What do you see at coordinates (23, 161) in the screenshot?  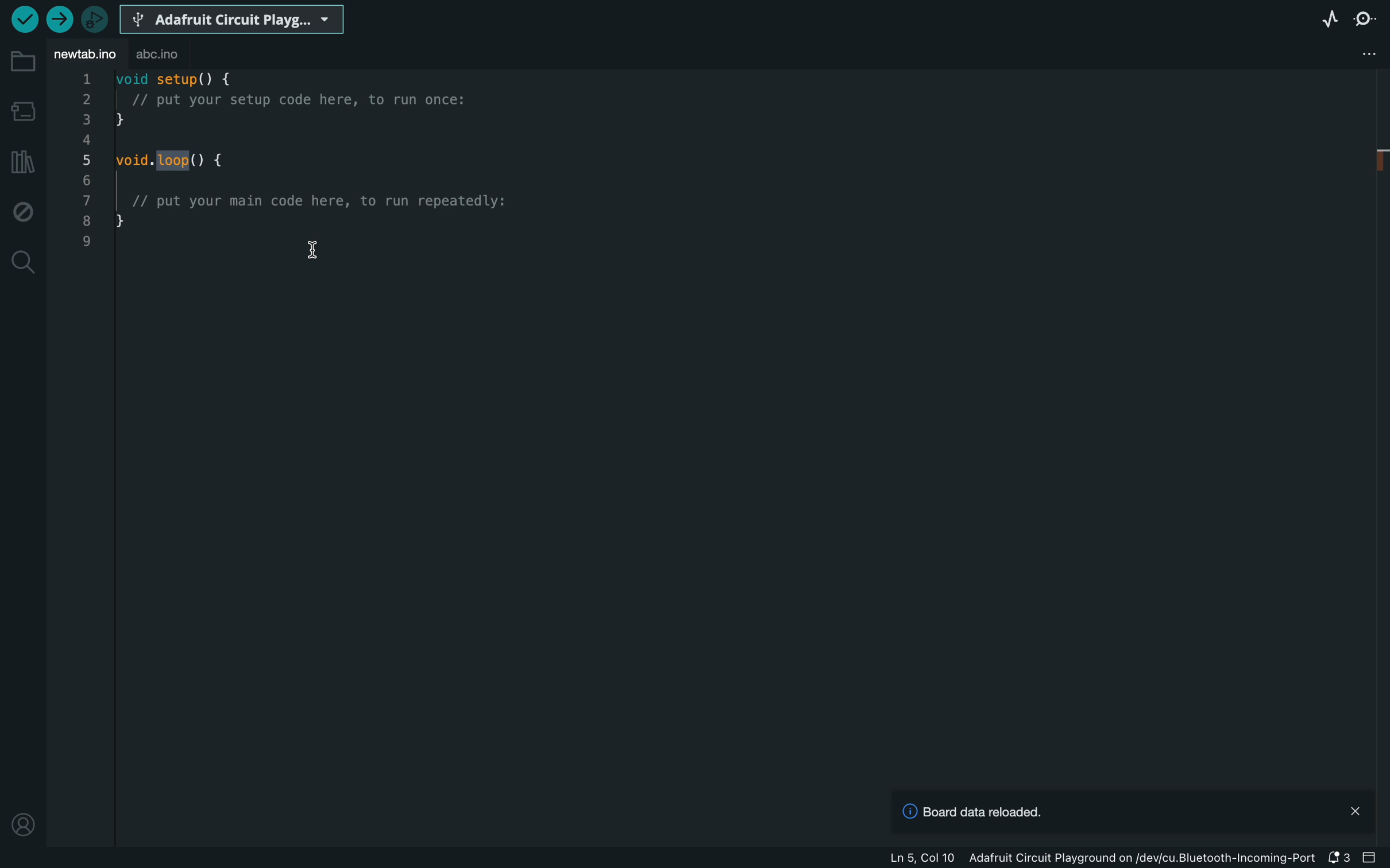 I see `library manager` at bounding box center [23, 161].